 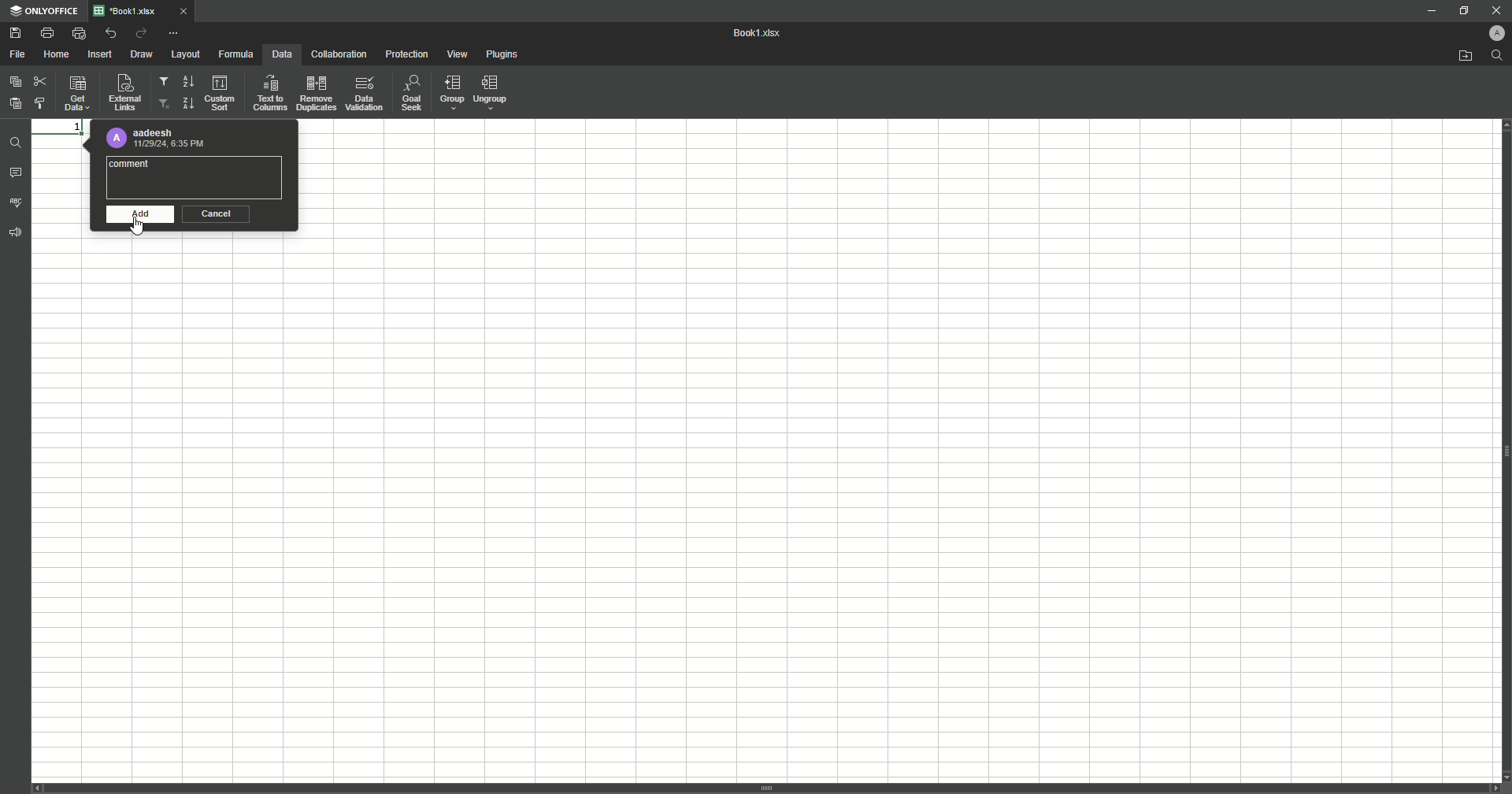 I want to click on comment, so click(x=133, y=164).